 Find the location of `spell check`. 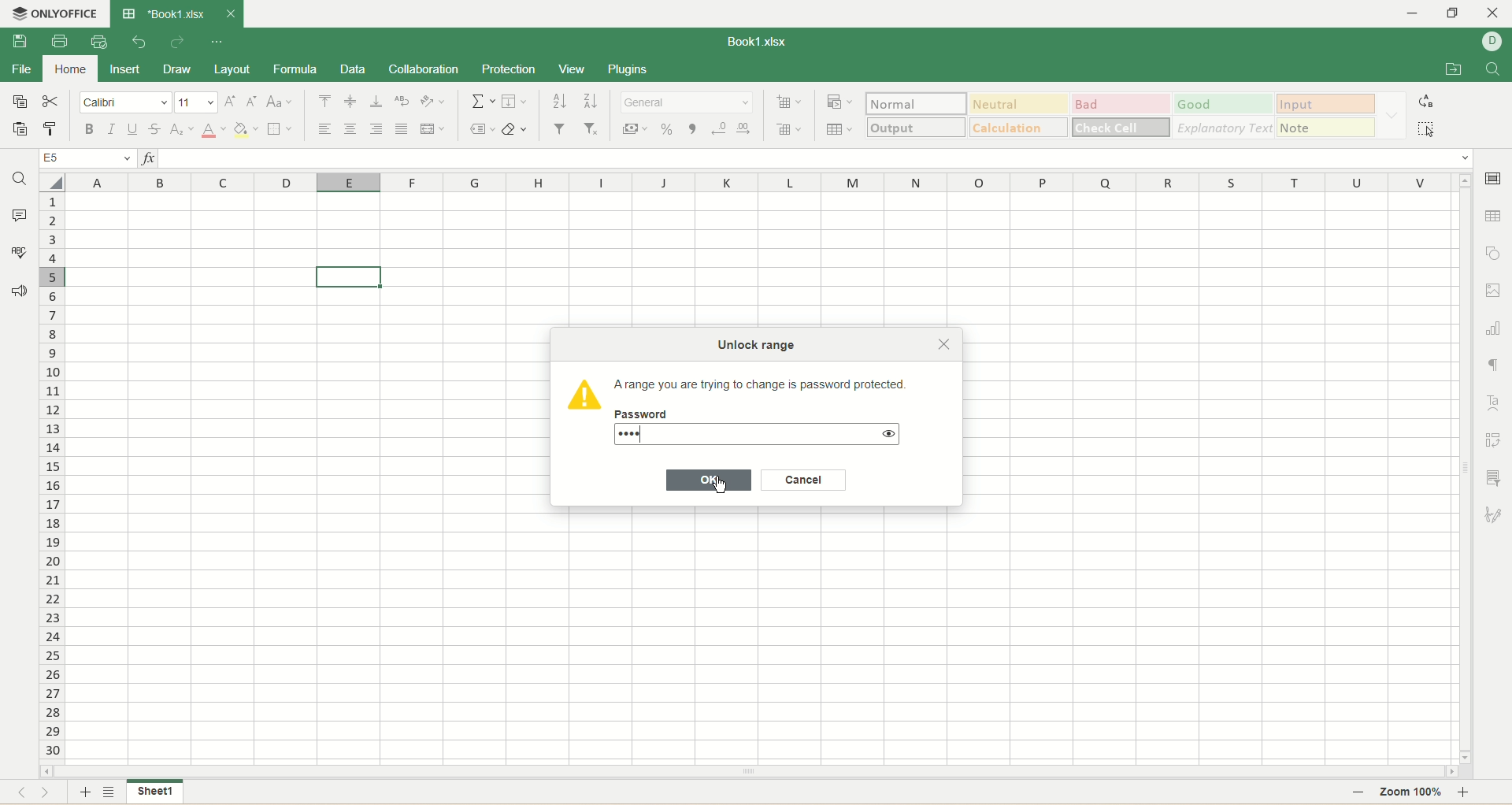

spell check is located at coordinates (20, 254).